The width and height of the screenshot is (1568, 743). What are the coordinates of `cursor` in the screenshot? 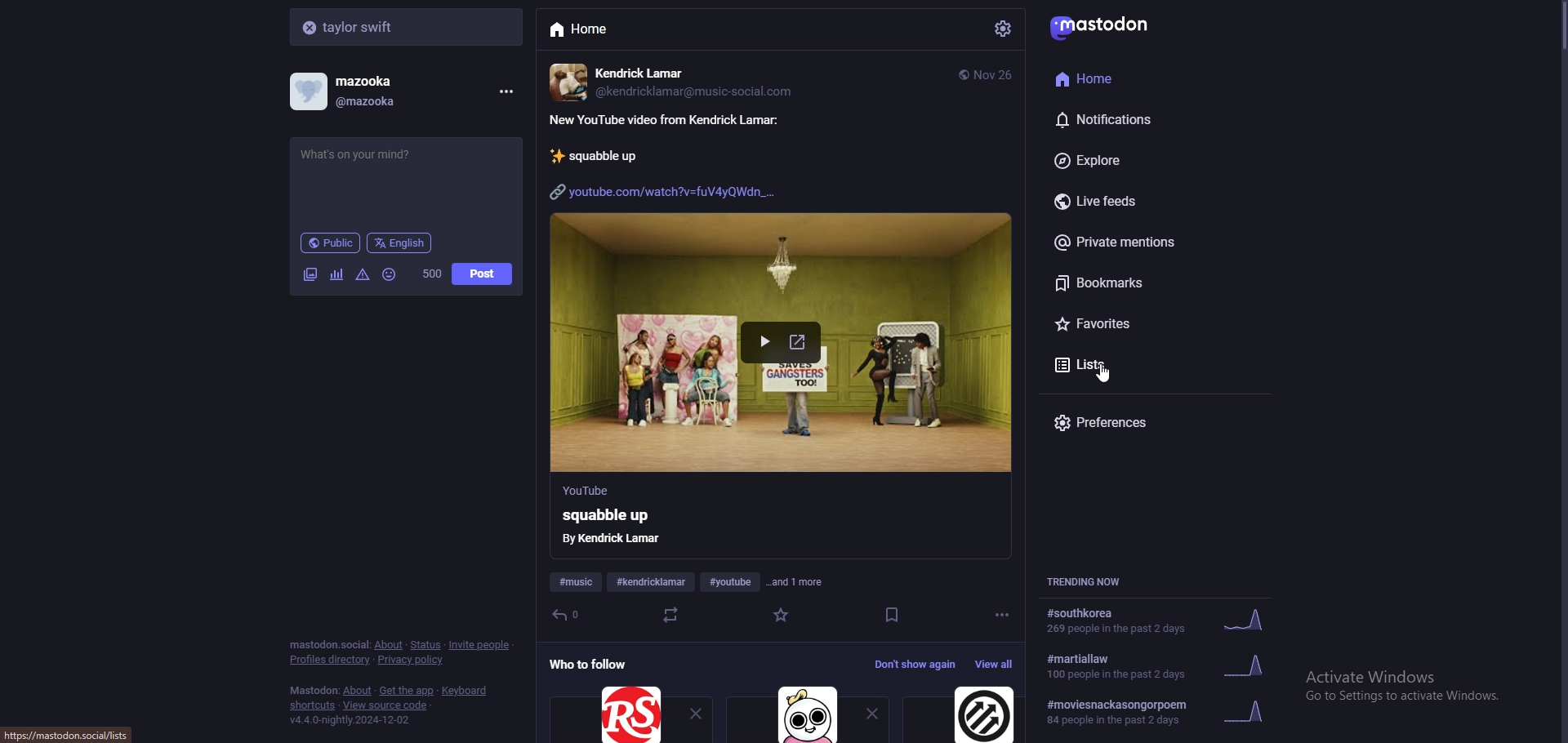 It's located at (1104, 371).